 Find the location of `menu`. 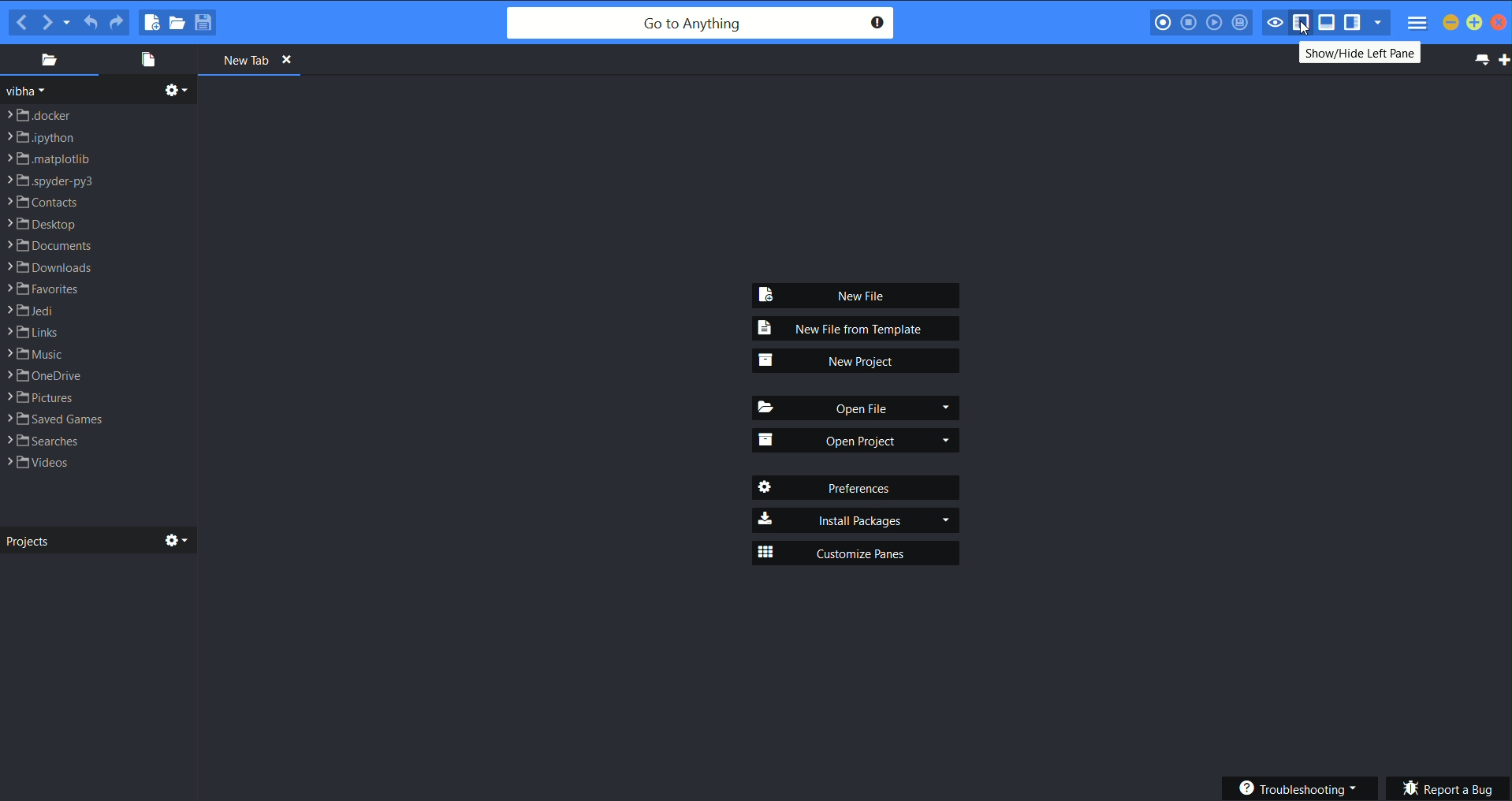

menu is located at coordinates (1418, 23).